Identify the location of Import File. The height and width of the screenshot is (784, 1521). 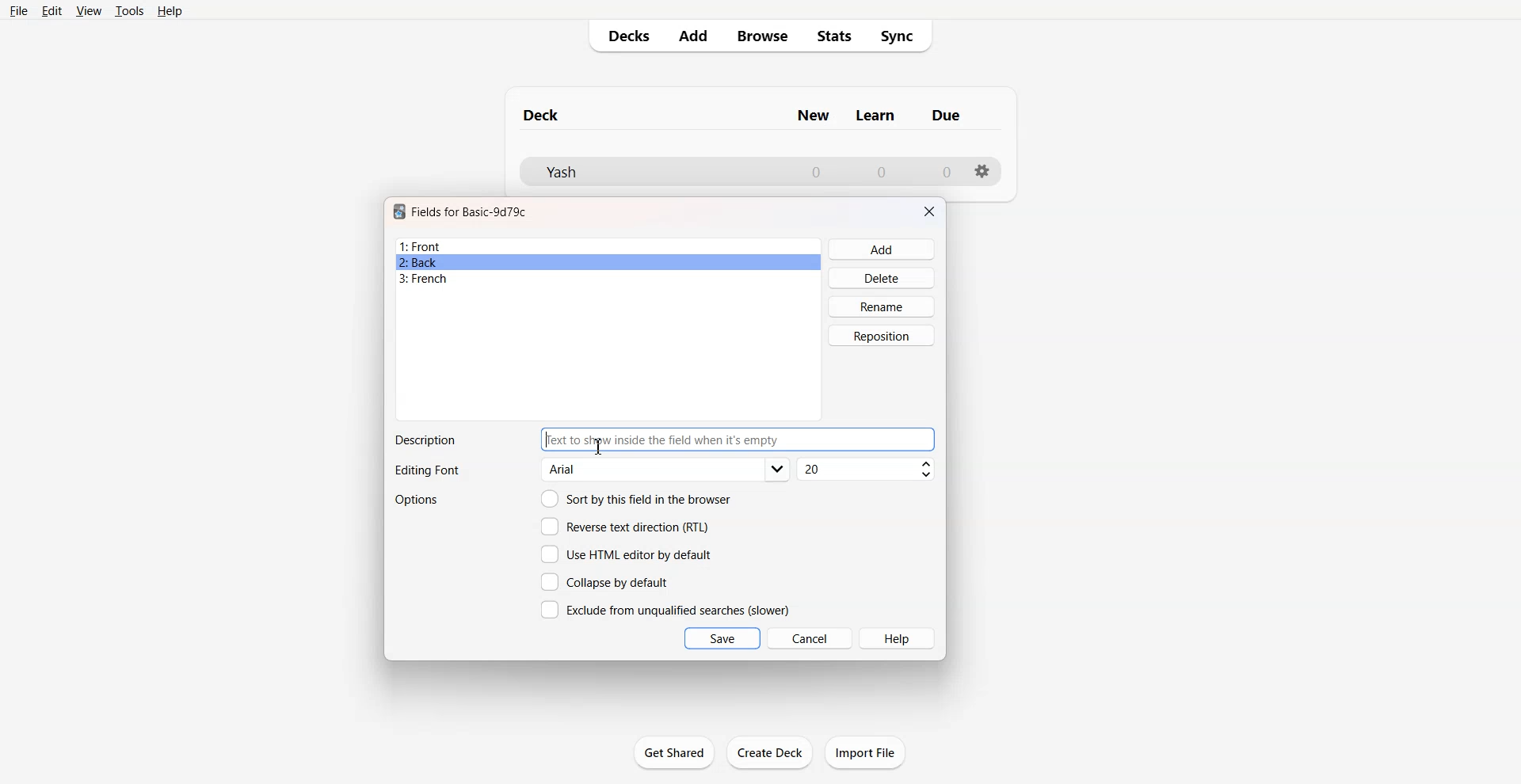
(865, 752).